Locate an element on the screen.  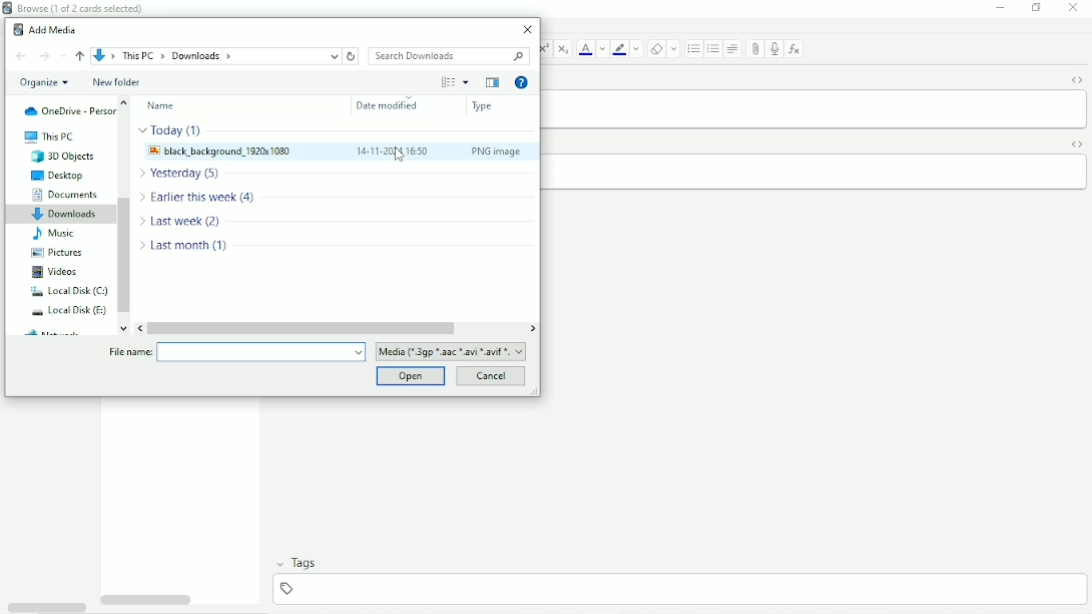
Equations is located at coordinates (794, 48).